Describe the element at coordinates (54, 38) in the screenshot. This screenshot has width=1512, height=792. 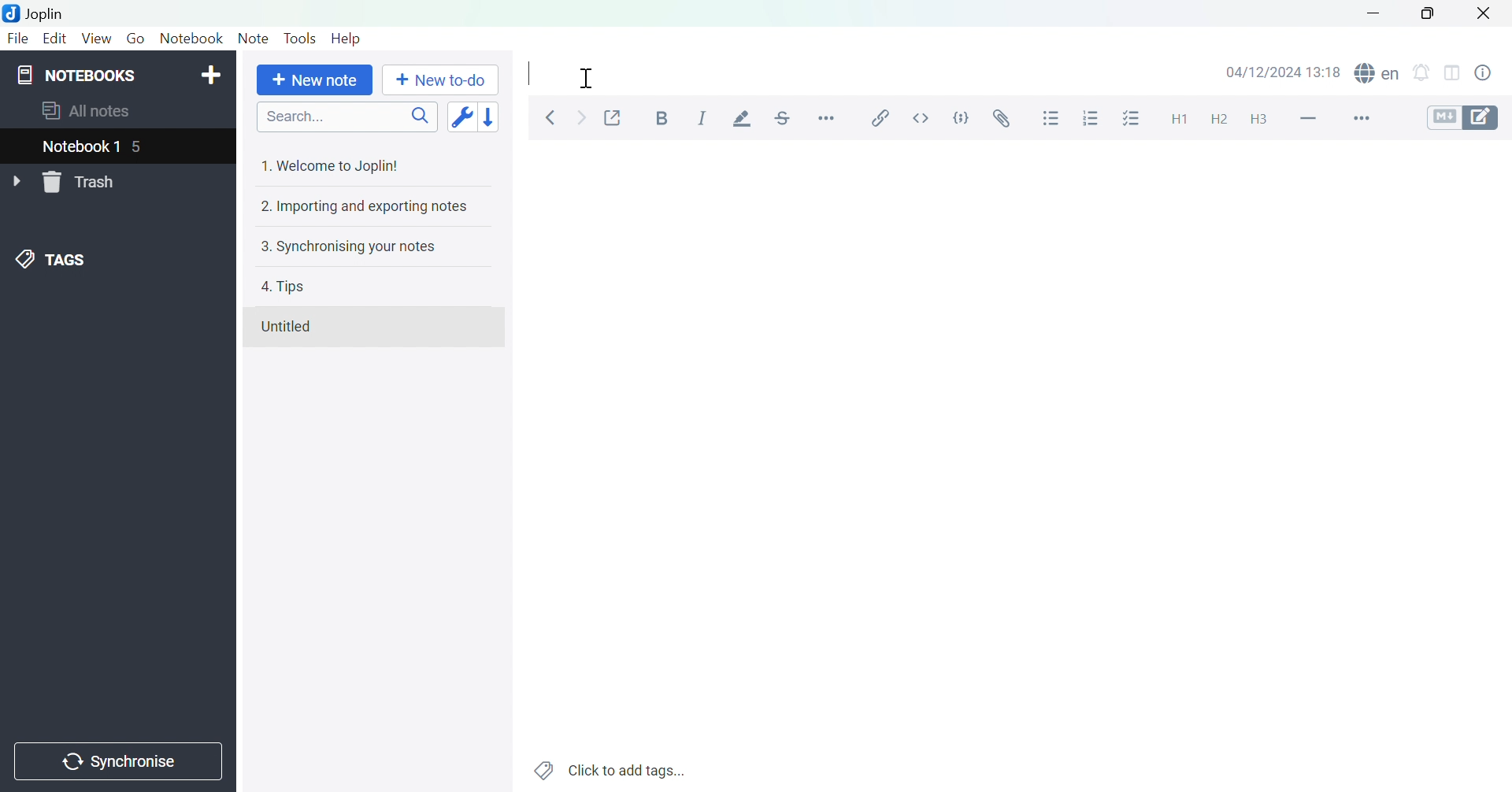
I see `Edit` at that location.